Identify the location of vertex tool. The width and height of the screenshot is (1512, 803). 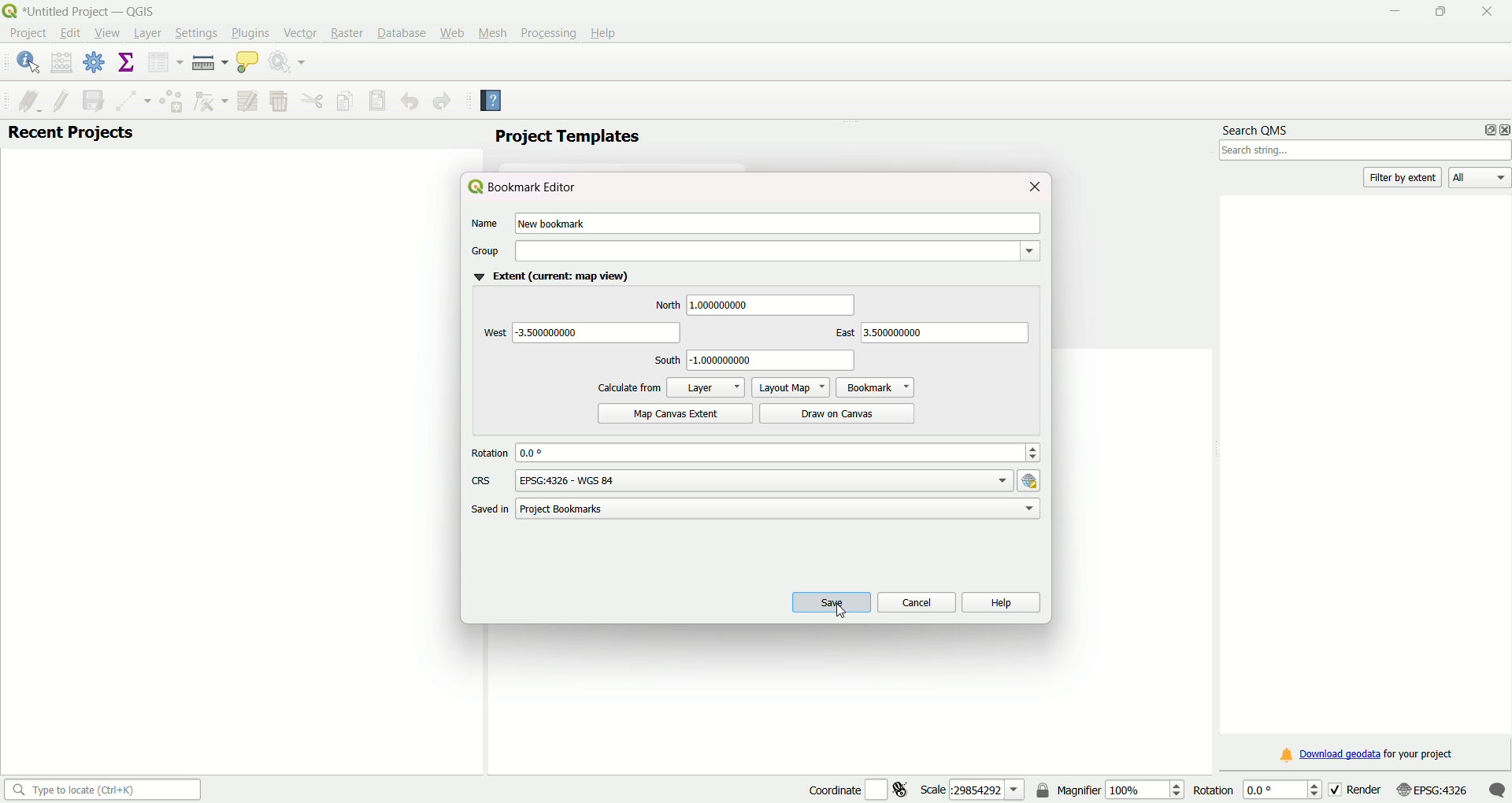
(209, 102).